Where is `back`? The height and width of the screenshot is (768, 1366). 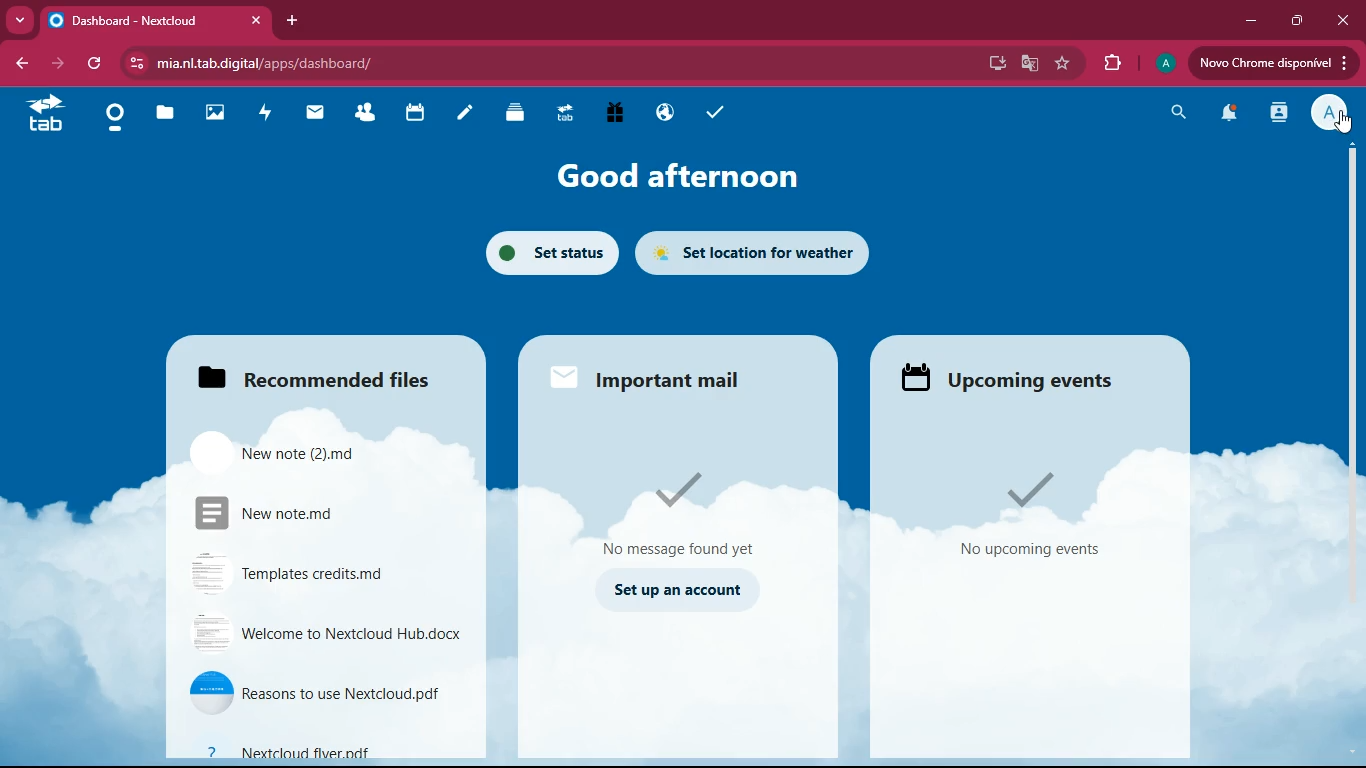
back is located at coordinates (23, 66).